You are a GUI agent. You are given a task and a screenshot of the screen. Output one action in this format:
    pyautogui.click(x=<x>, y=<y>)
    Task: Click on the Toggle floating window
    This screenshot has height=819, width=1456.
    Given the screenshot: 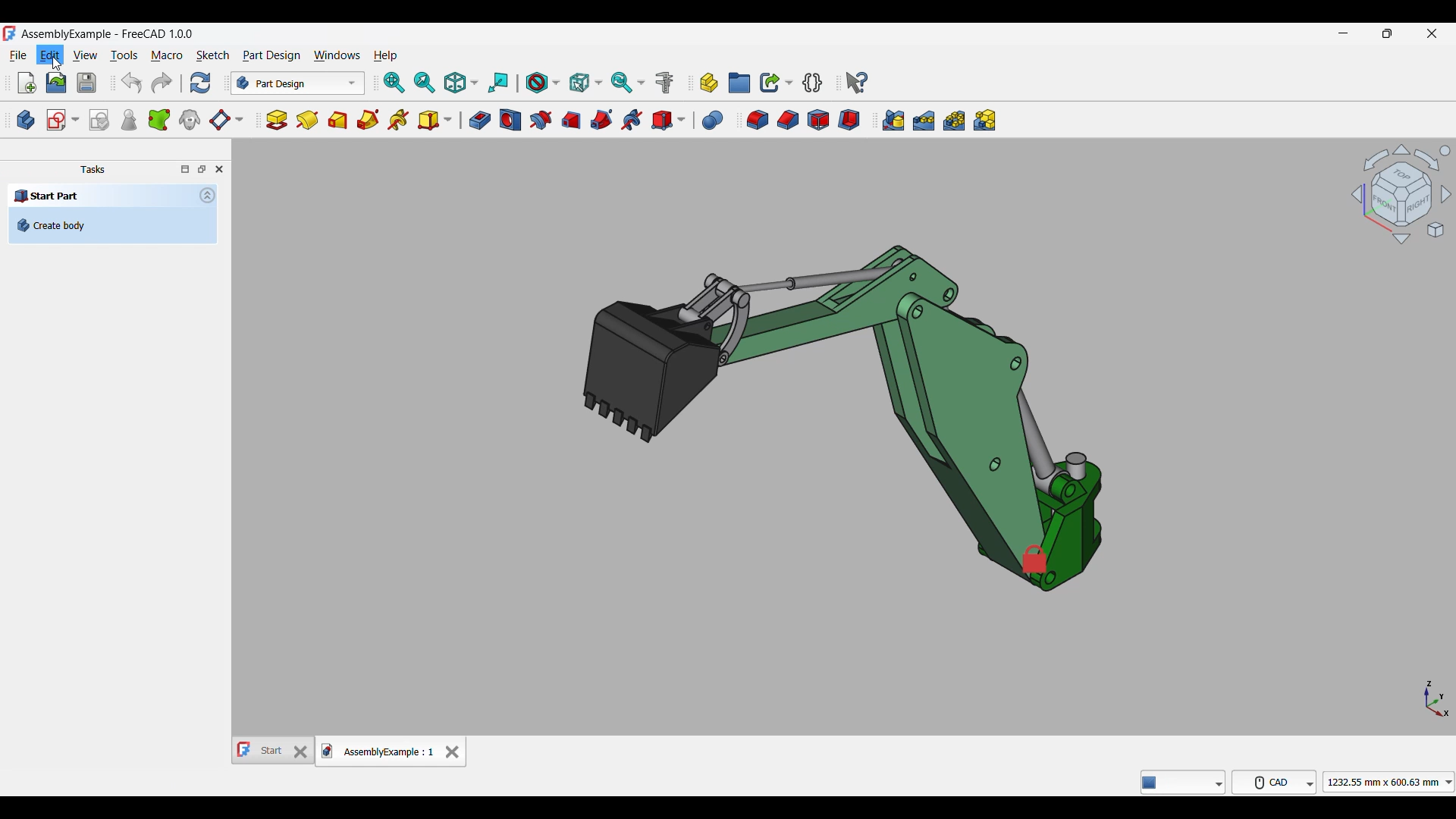 What is the action you would take?
    pyautogui.click(x=202, y=169)
    